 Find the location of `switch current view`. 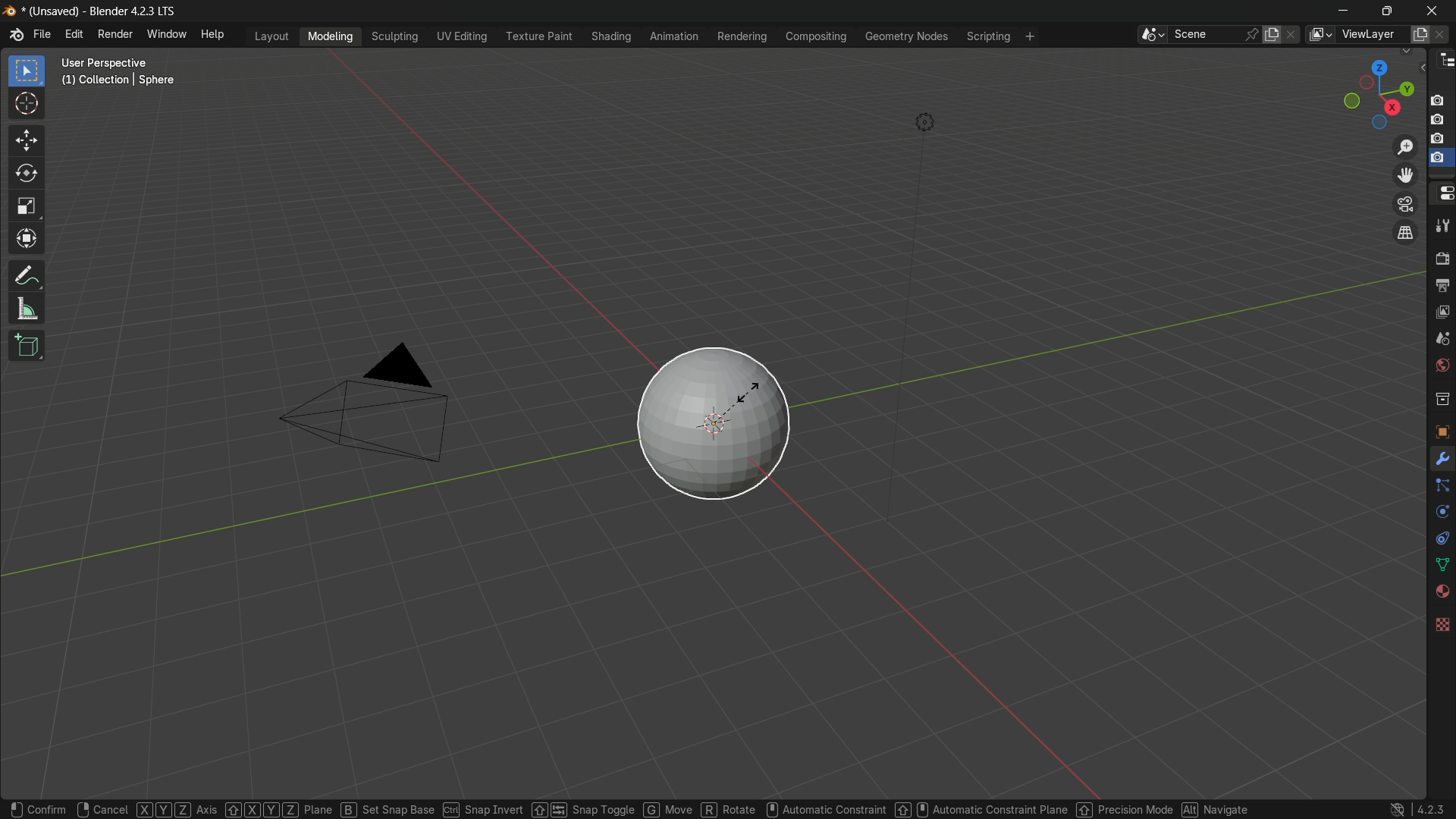

switch current view is located at coordinates (1408, 234).